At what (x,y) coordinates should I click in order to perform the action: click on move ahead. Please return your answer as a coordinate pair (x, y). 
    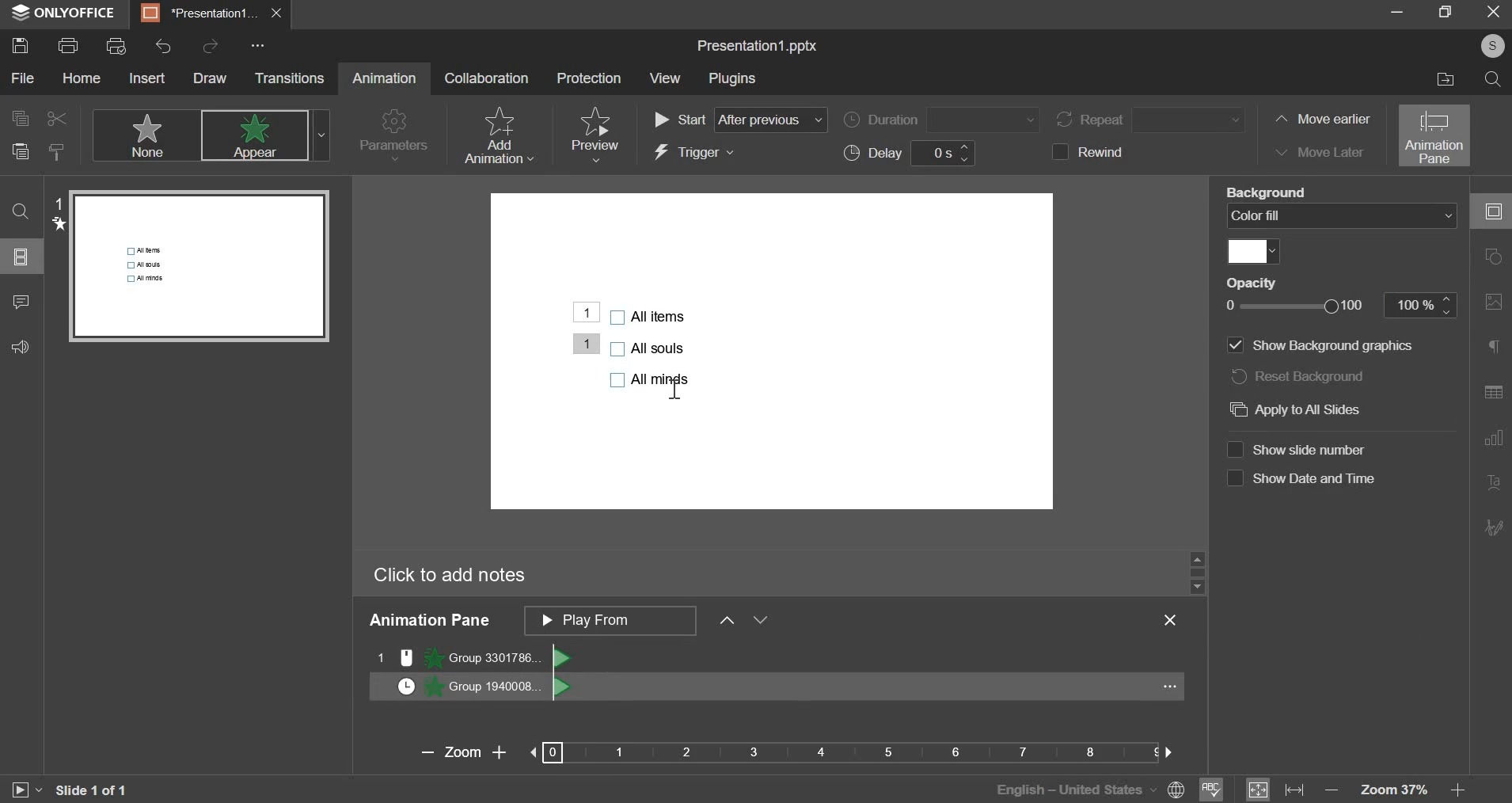
    Looking at the image, I should click on (727, 618).